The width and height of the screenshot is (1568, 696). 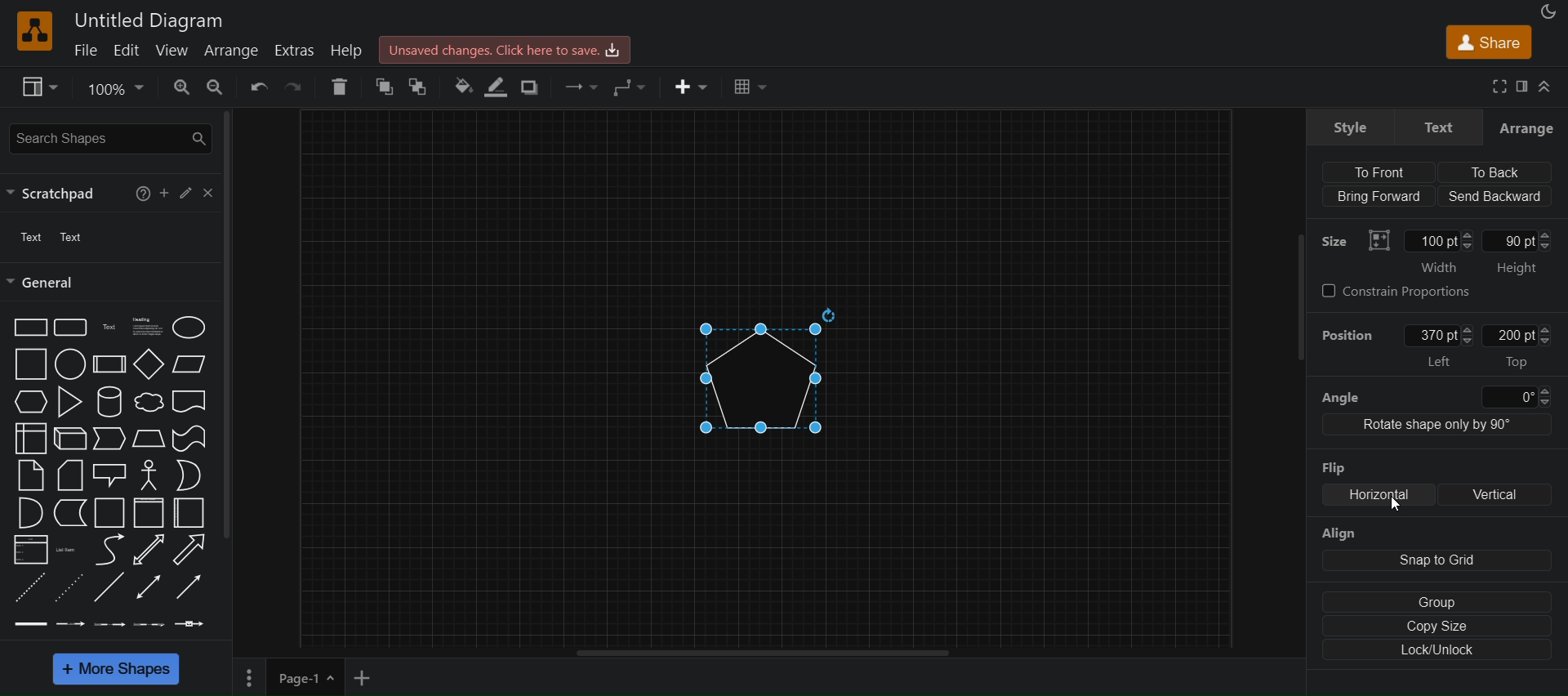 What do you see at coordinates (1544, 335) in the screenshot?
I see `Increase/Decrease top position` at bounding box center [1544, 335].